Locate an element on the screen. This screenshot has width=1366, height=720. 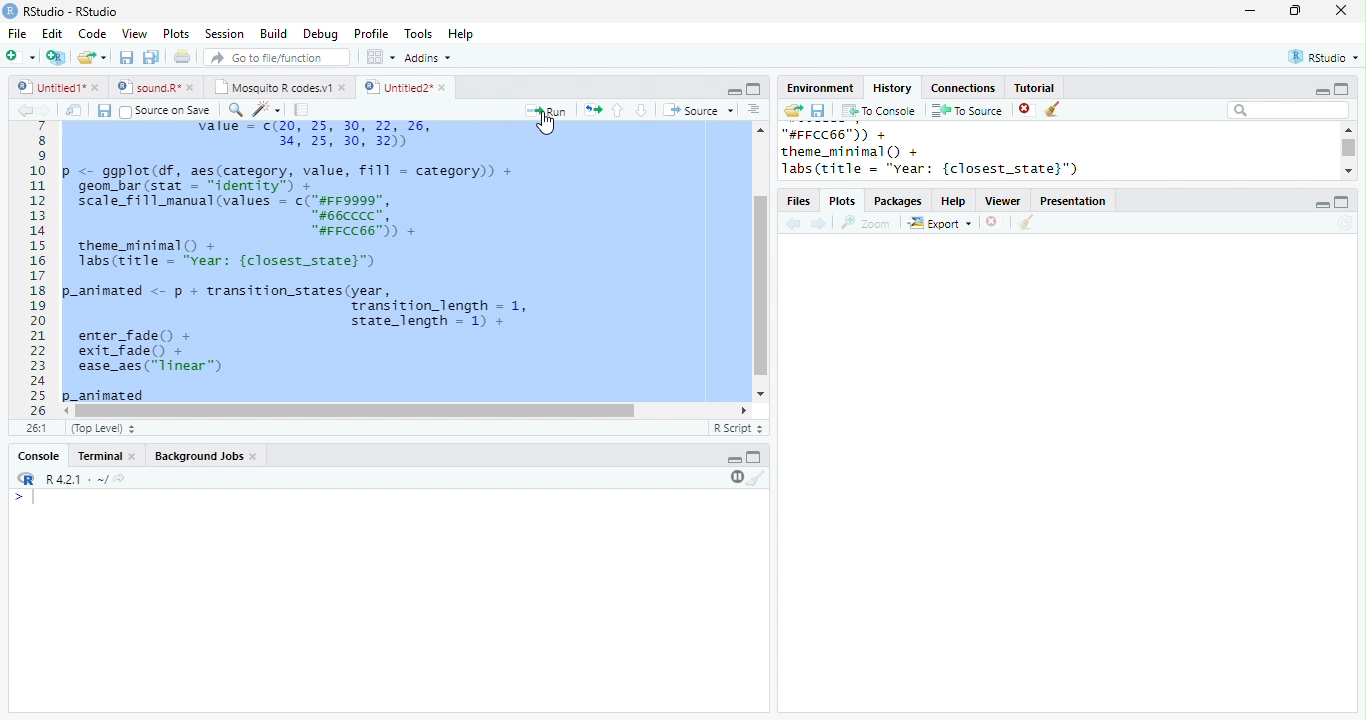
Packages is located at coordinates (899, 201).